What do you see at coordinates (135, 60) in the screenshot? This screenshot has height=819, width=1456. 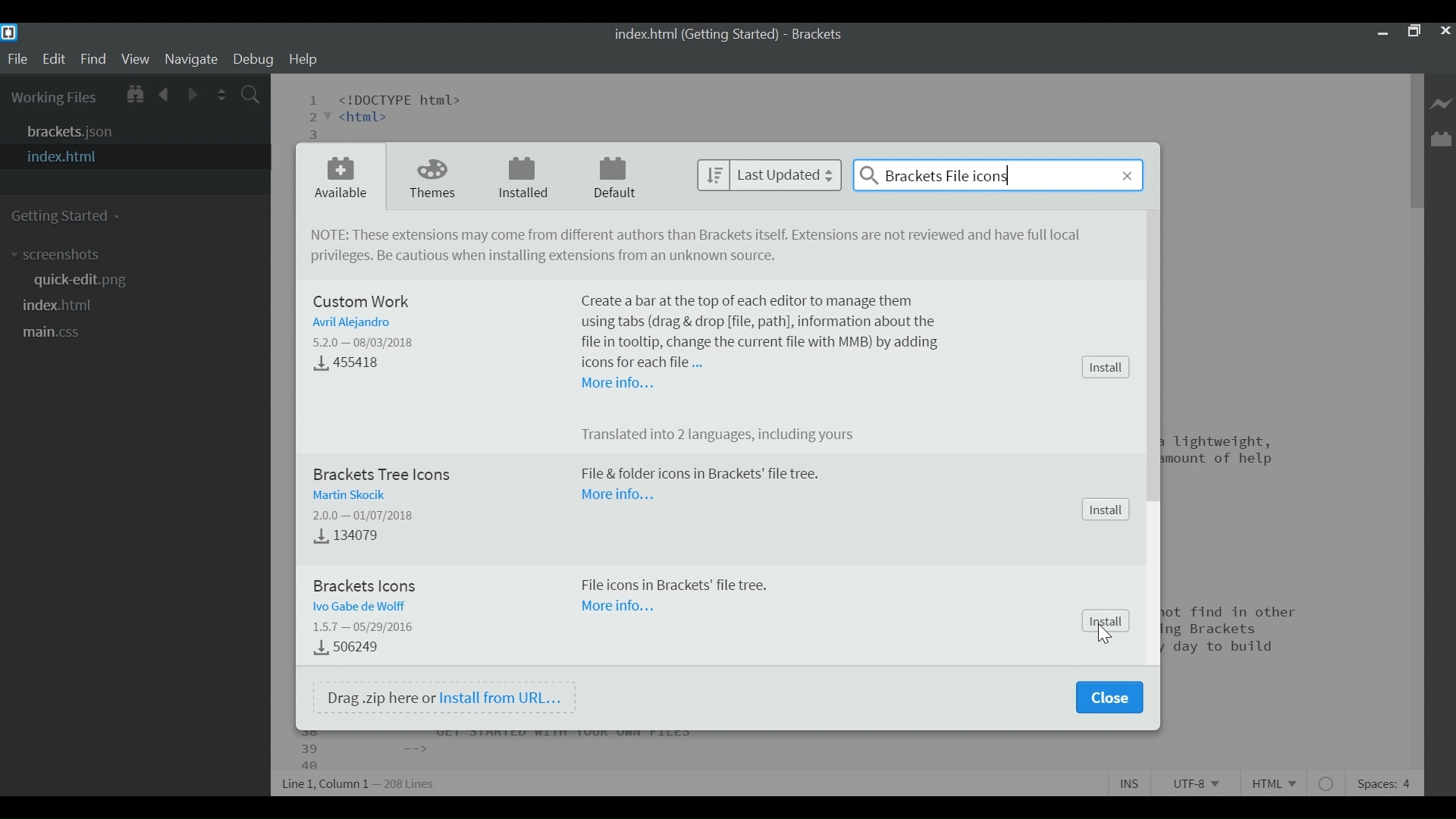 I see `View` at bounding box center [135, 60].